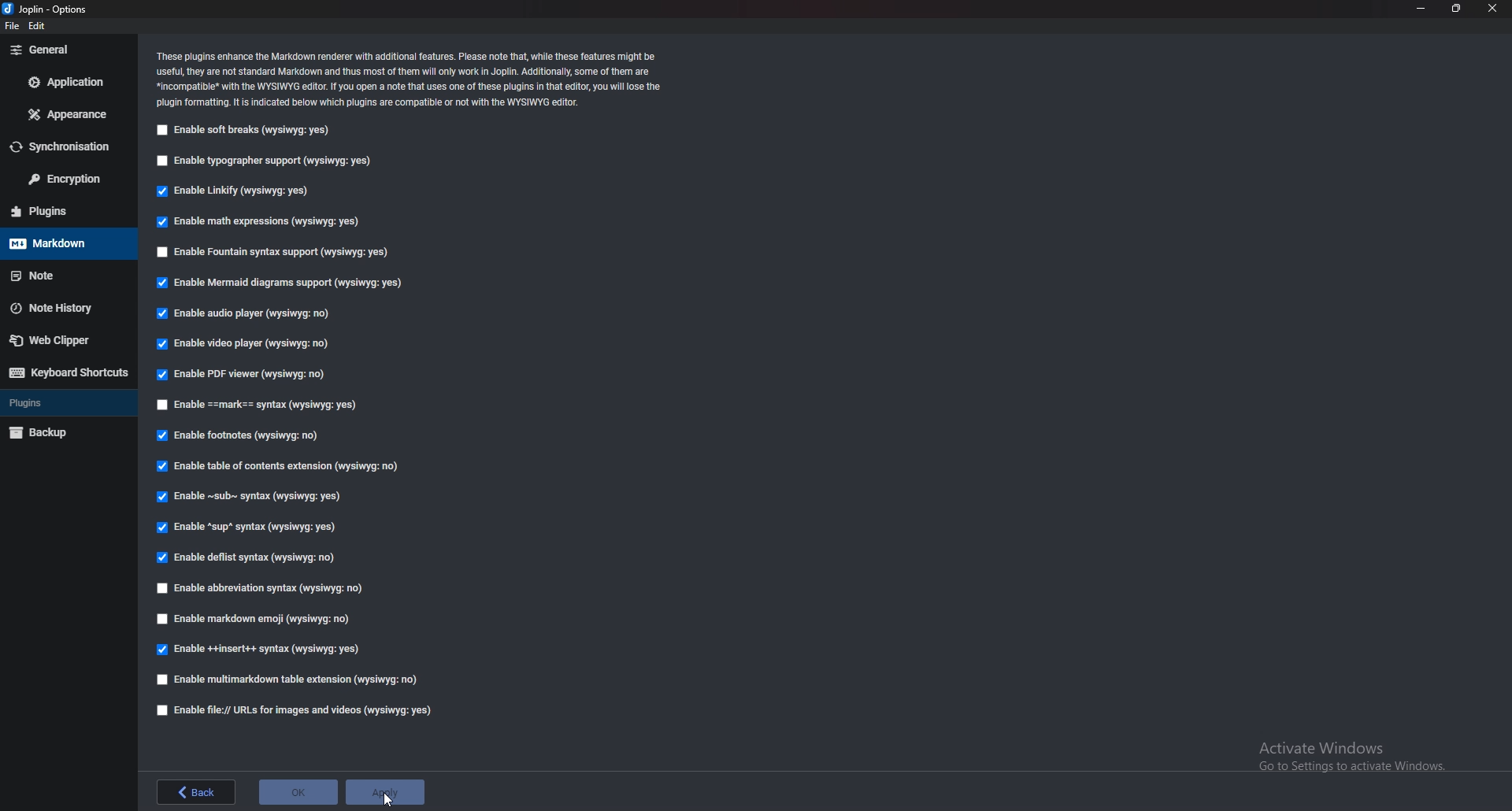 This screenshot has width=1512, height=811. Describe the element at coordinates (259, 651) in the screenshot. I see `Enable insert syntax` at that location.